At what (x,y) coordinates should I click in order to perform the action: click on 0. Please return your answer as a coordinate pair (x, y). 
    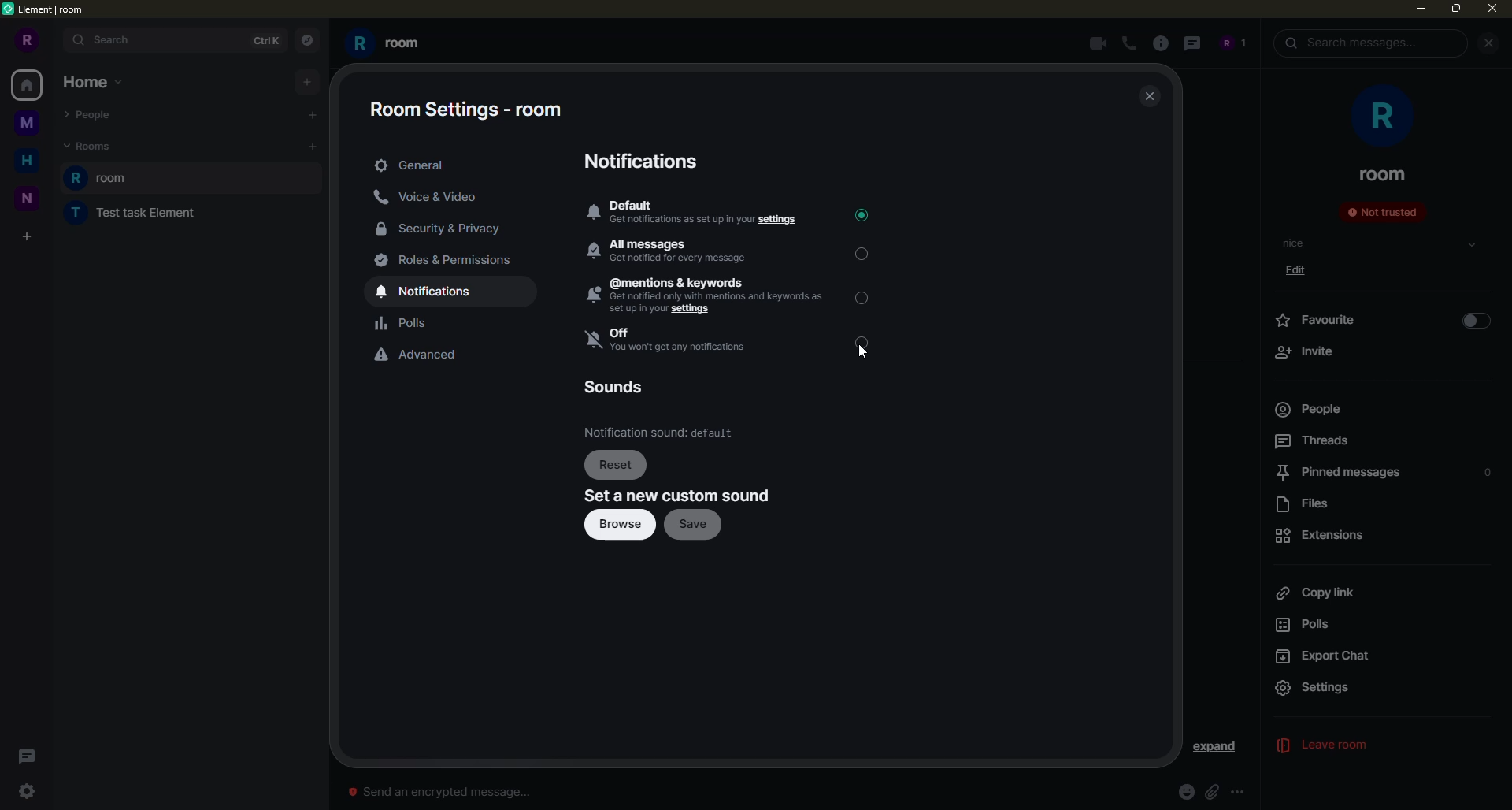
    Looking at the image, I should click on (1488, 473).